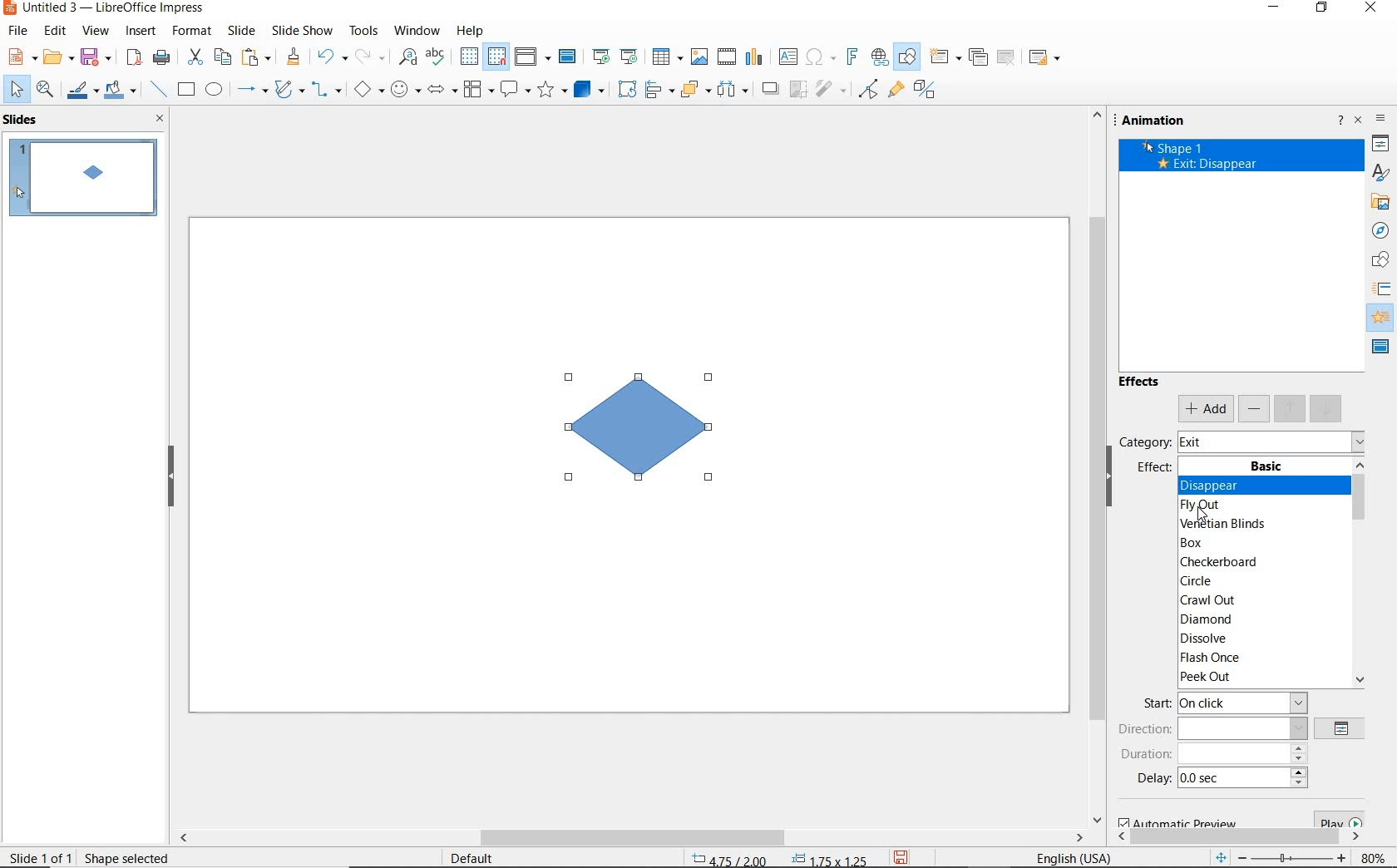 This screenshot has height=868, width=1397. What do you see at coordinates (1376, 204) in the screenshot?
I see `gallery` at bounding box center [1376, 204].